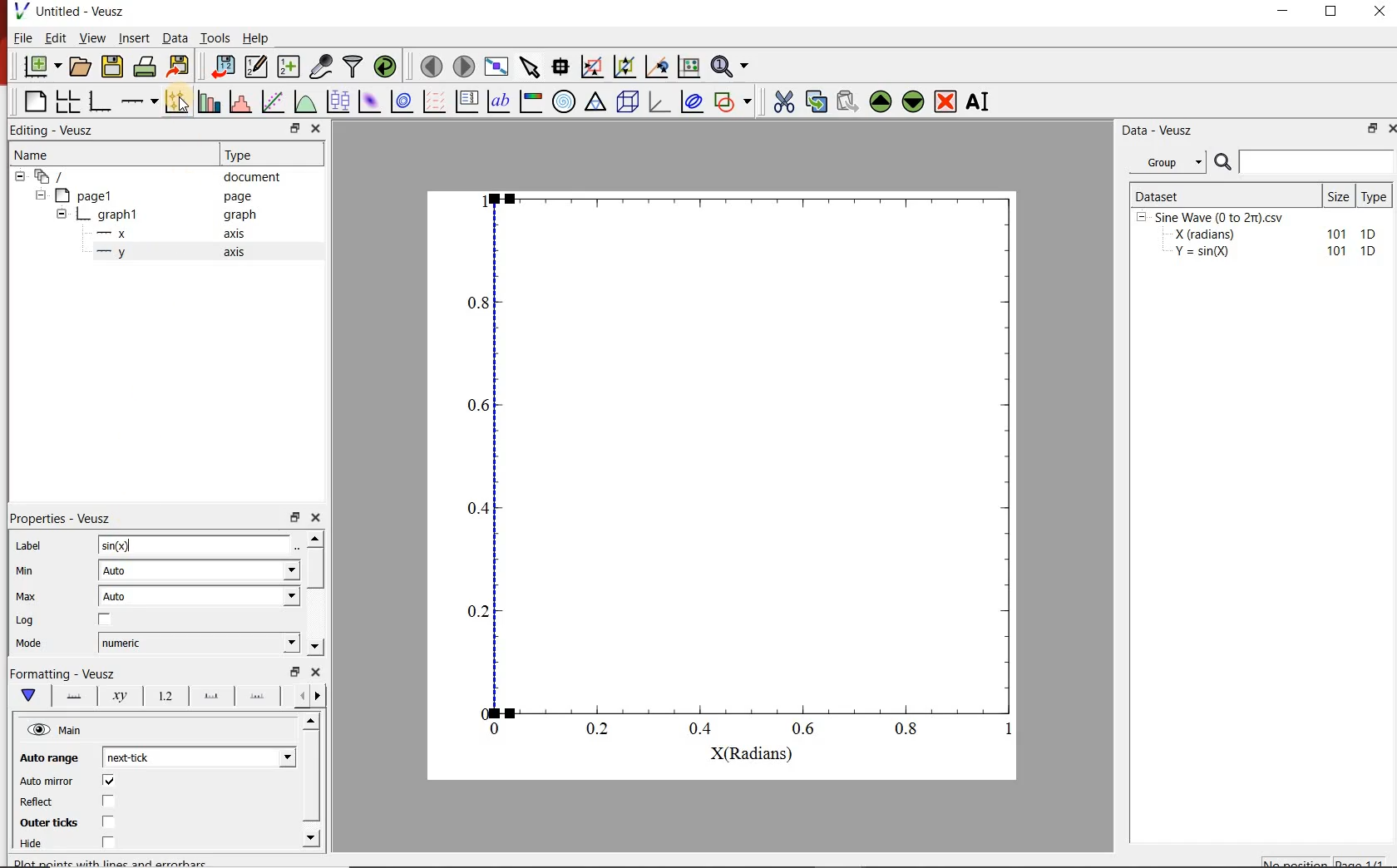 This screenshot has height=868, width=1397. What do you see at coordinates (315, 647) in the screenshot?
I see `Down` at bounding box center [315, 647].